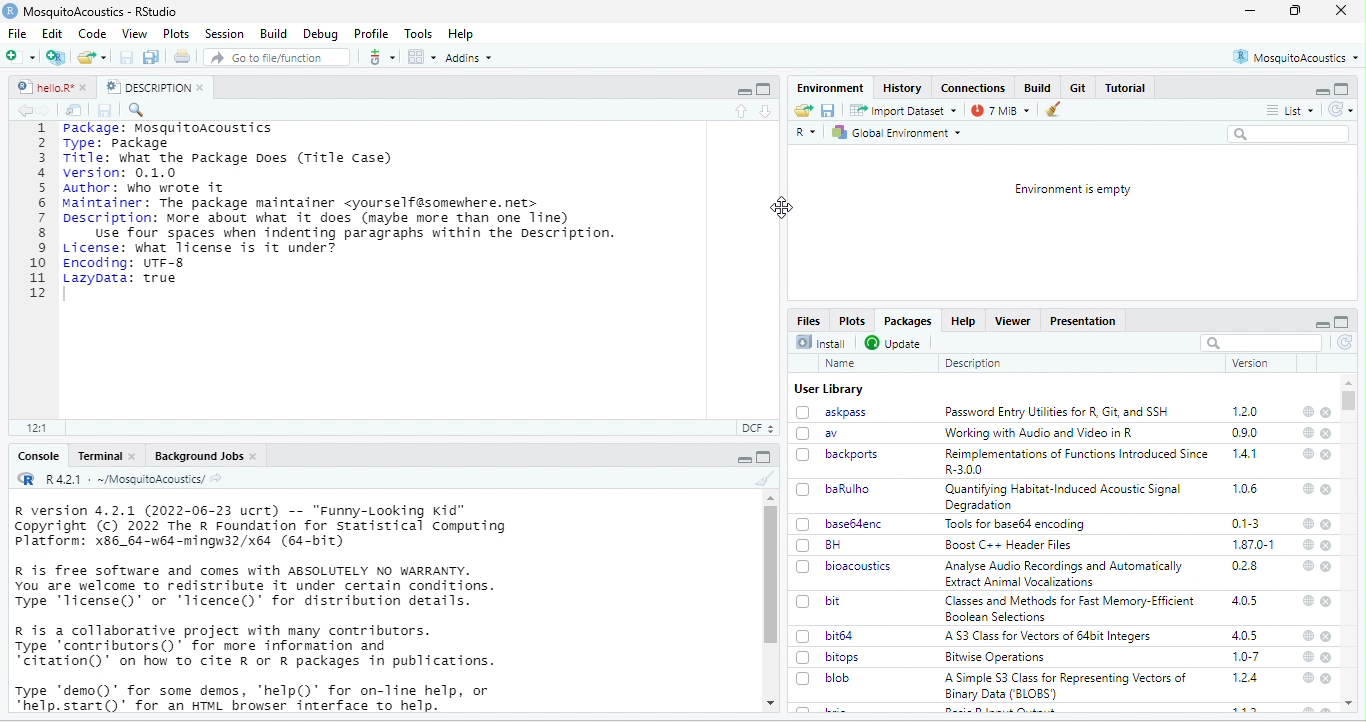  What do you see at coordinates (1246, 600) in the screenshot?
I see `4.0.5` at bounding box center [1246, 600].